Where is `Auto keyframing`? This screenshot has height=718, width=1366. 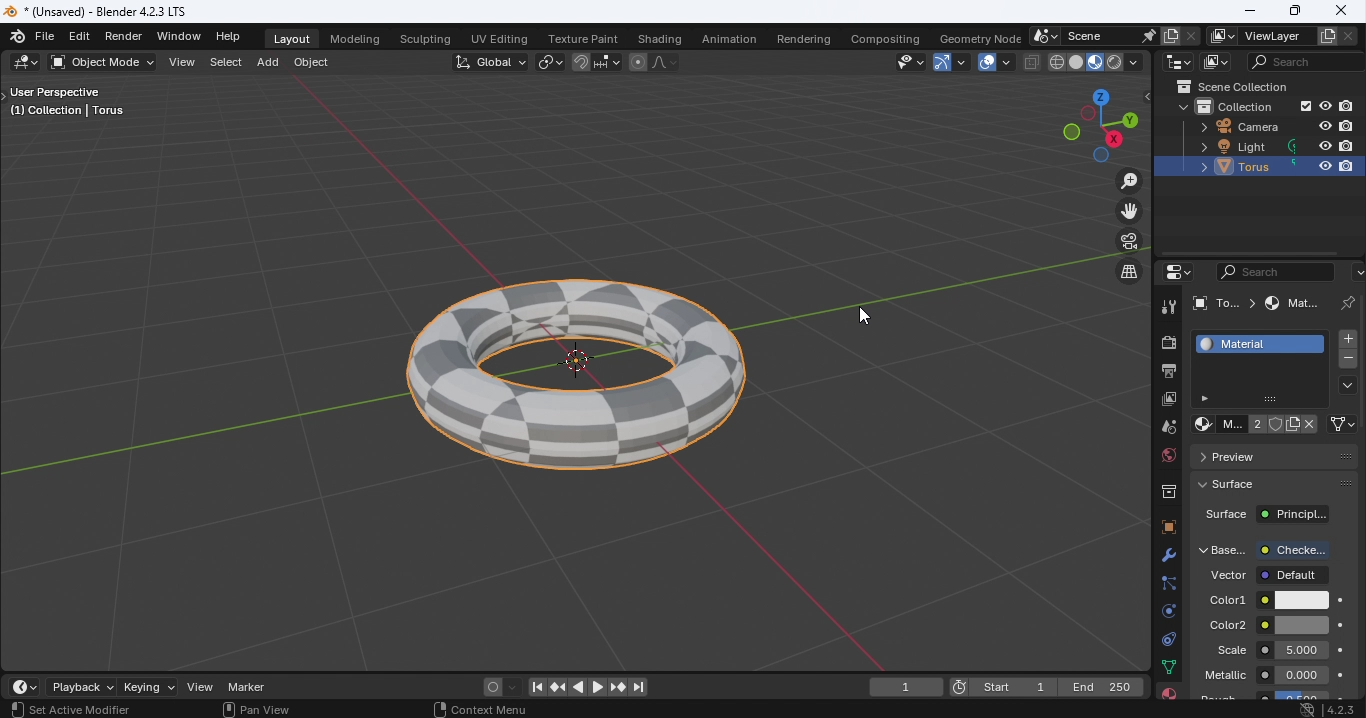
Auto keyframing is located at coordinates (496, 686).